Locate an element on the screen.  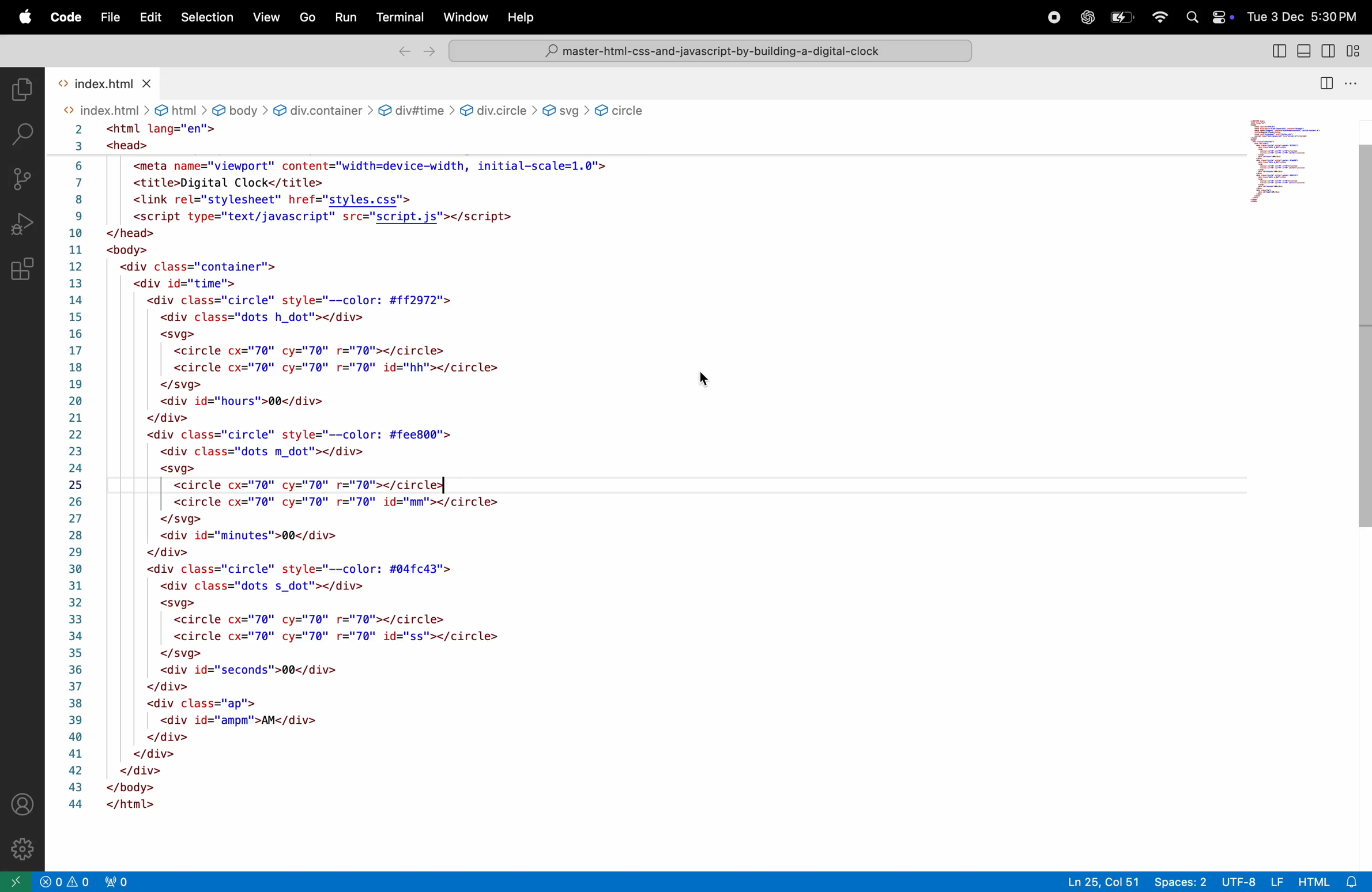
Scroll bar is located at coordinates (1362, 342).